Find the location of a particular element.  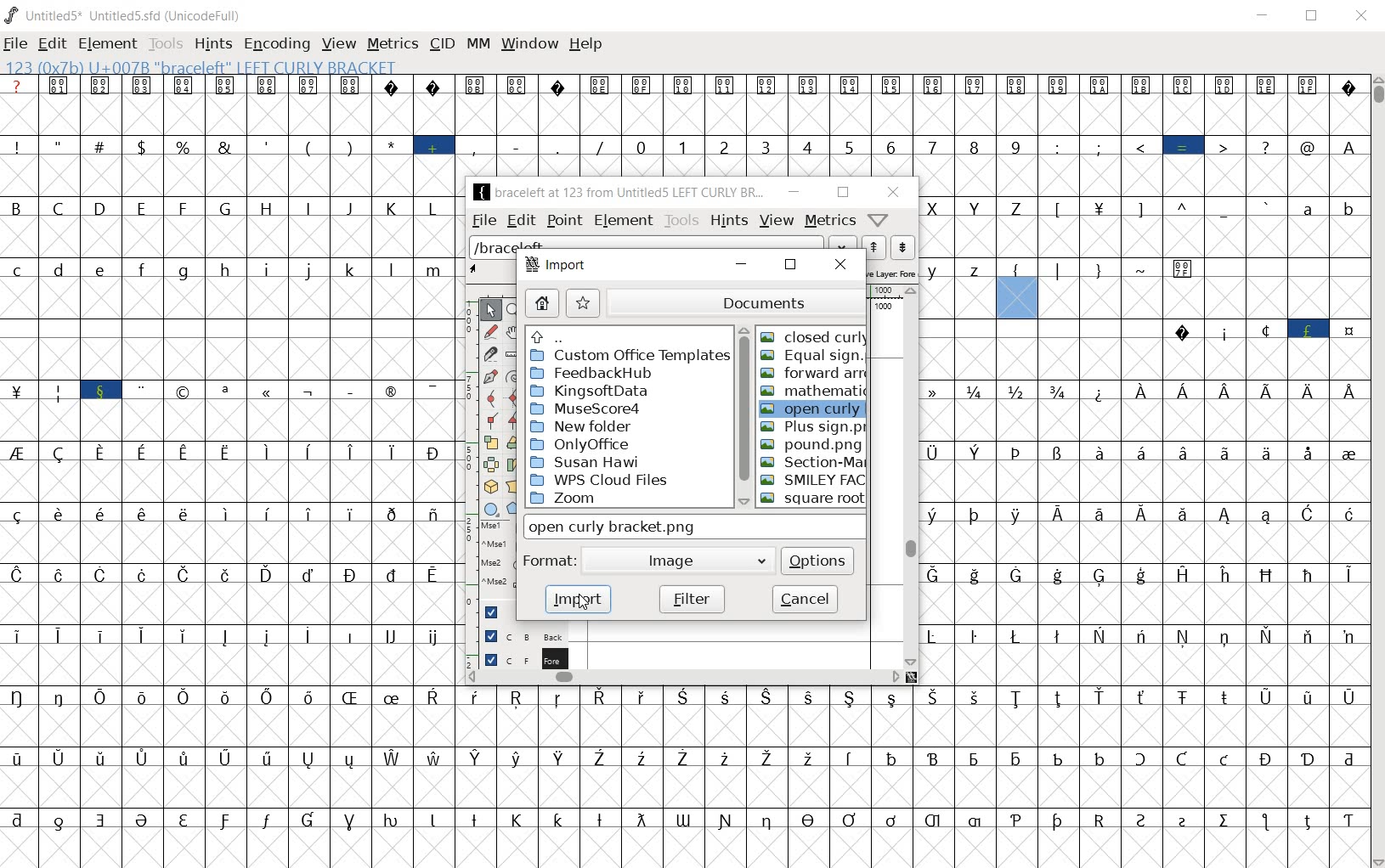

restore down is located at coordinates (1314, 17).